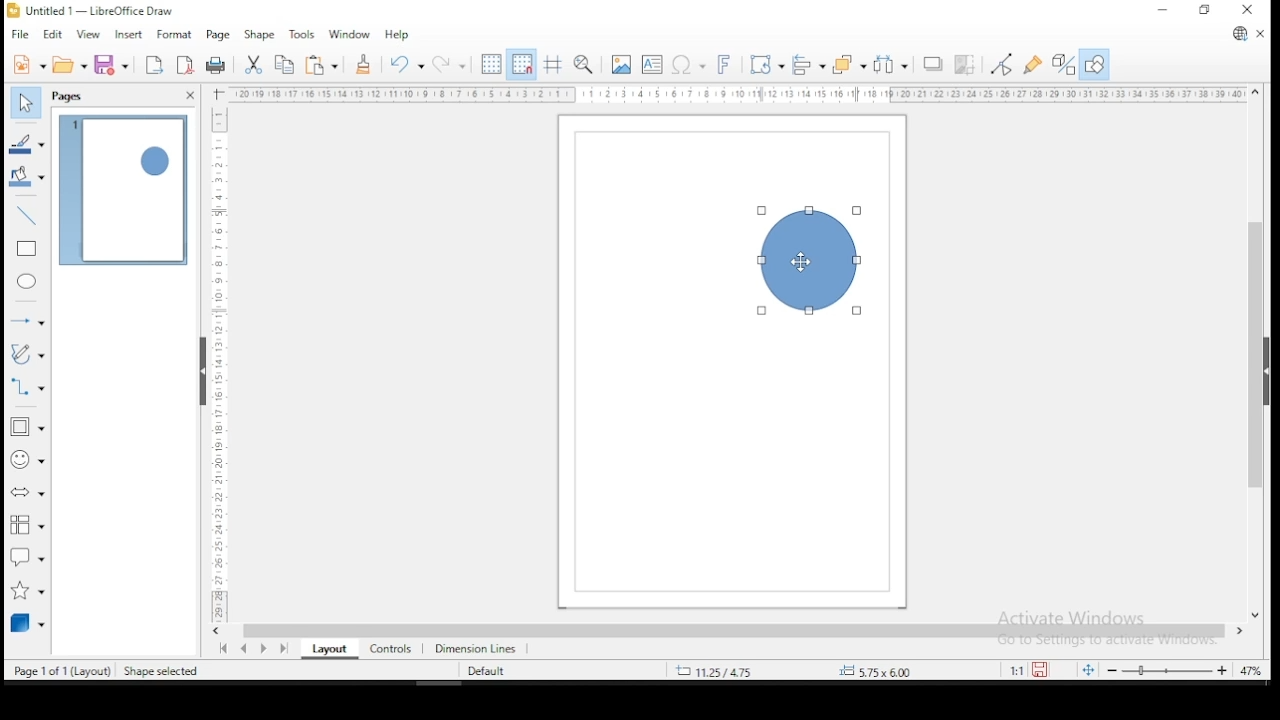 This screenshot has height=720, width=1280. What do you see at coordinates (24, 525) in the screenshot?
I see `flowchart` at bounding box center [24, 525].